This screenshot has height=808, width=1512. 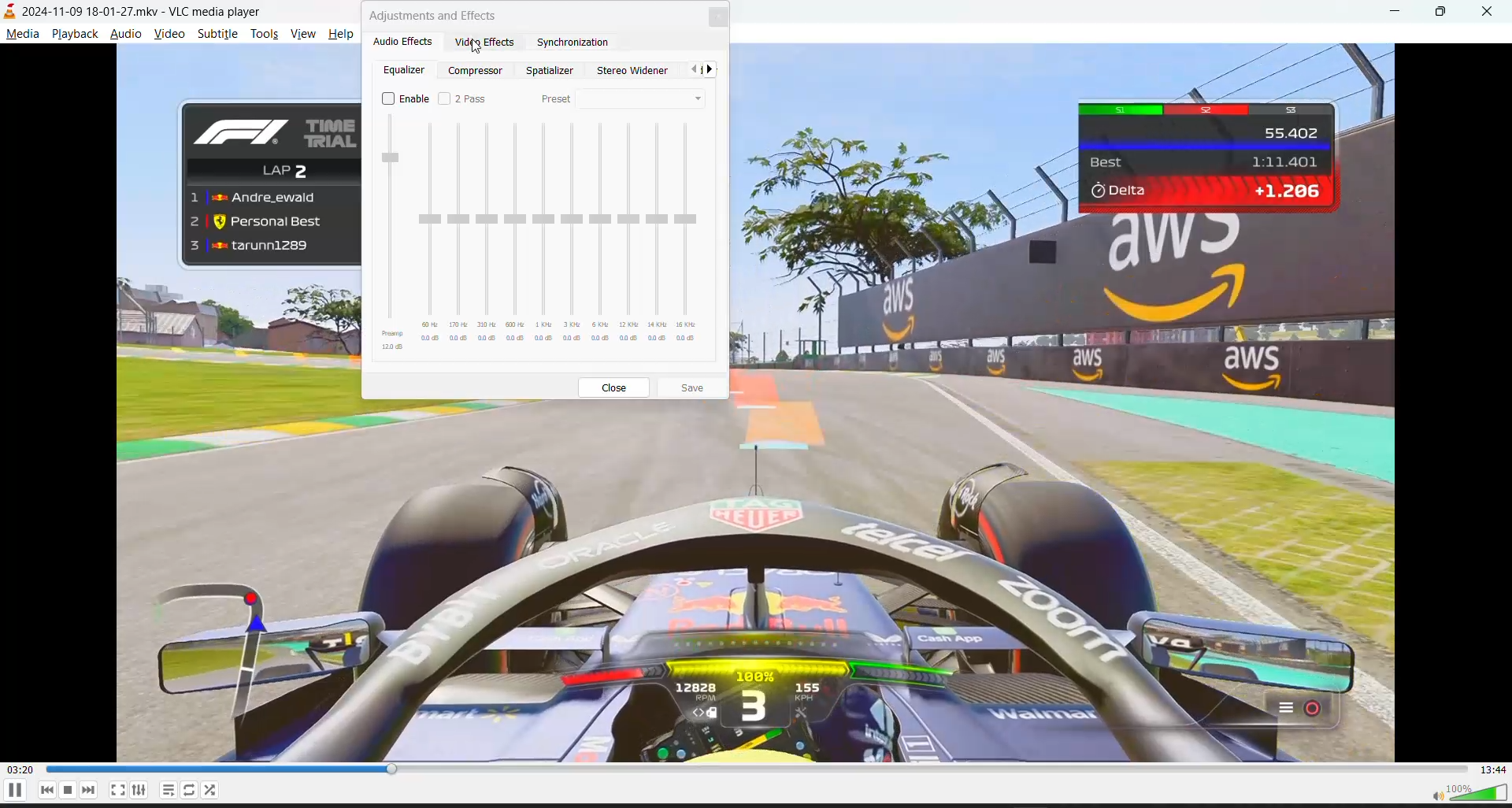 What do you see at coordinates (713, 71) in the screenshot?
I see `next` at bounding box center [713, 71].